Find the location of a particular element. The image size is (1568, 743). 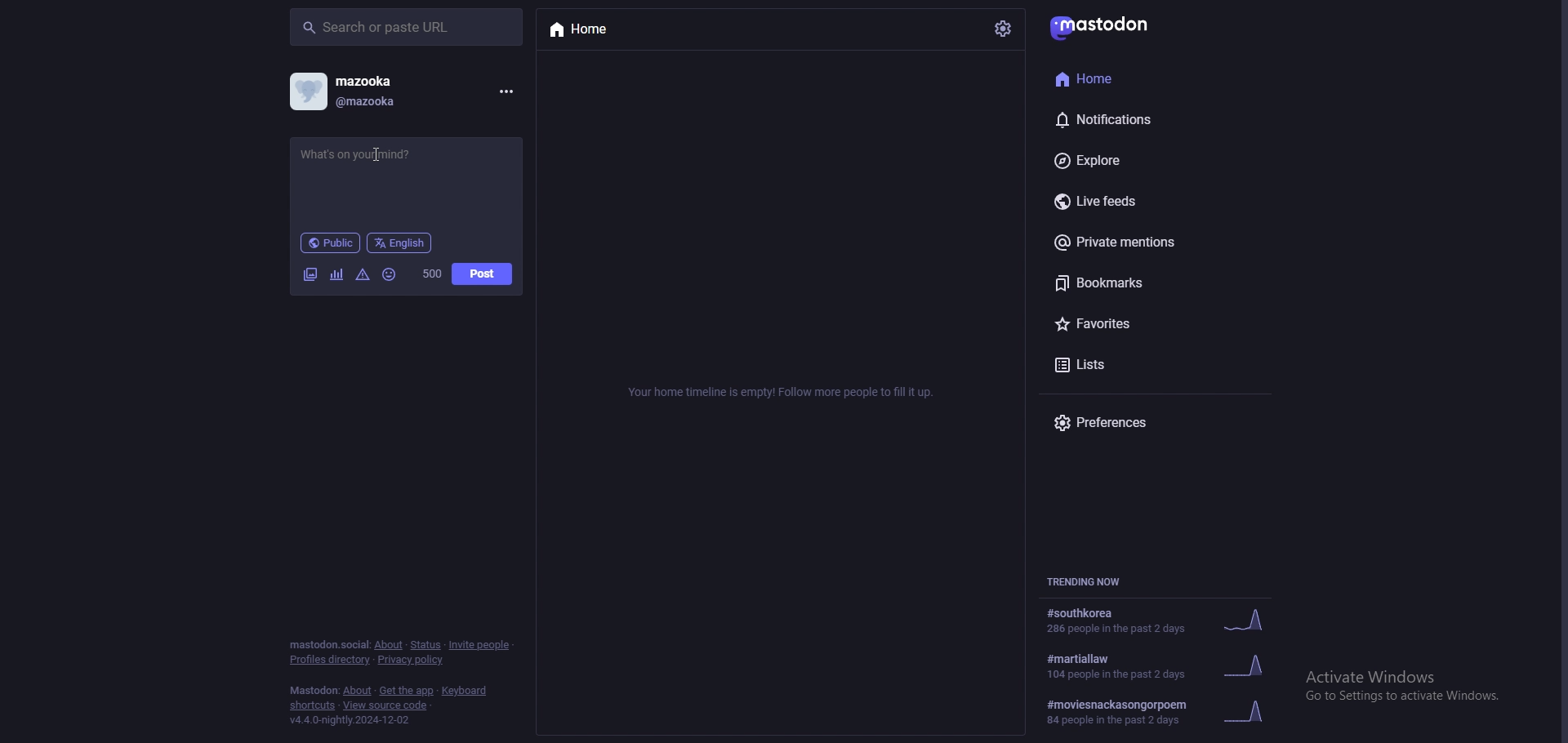

private mentions is located at coordinates (1147, 245).